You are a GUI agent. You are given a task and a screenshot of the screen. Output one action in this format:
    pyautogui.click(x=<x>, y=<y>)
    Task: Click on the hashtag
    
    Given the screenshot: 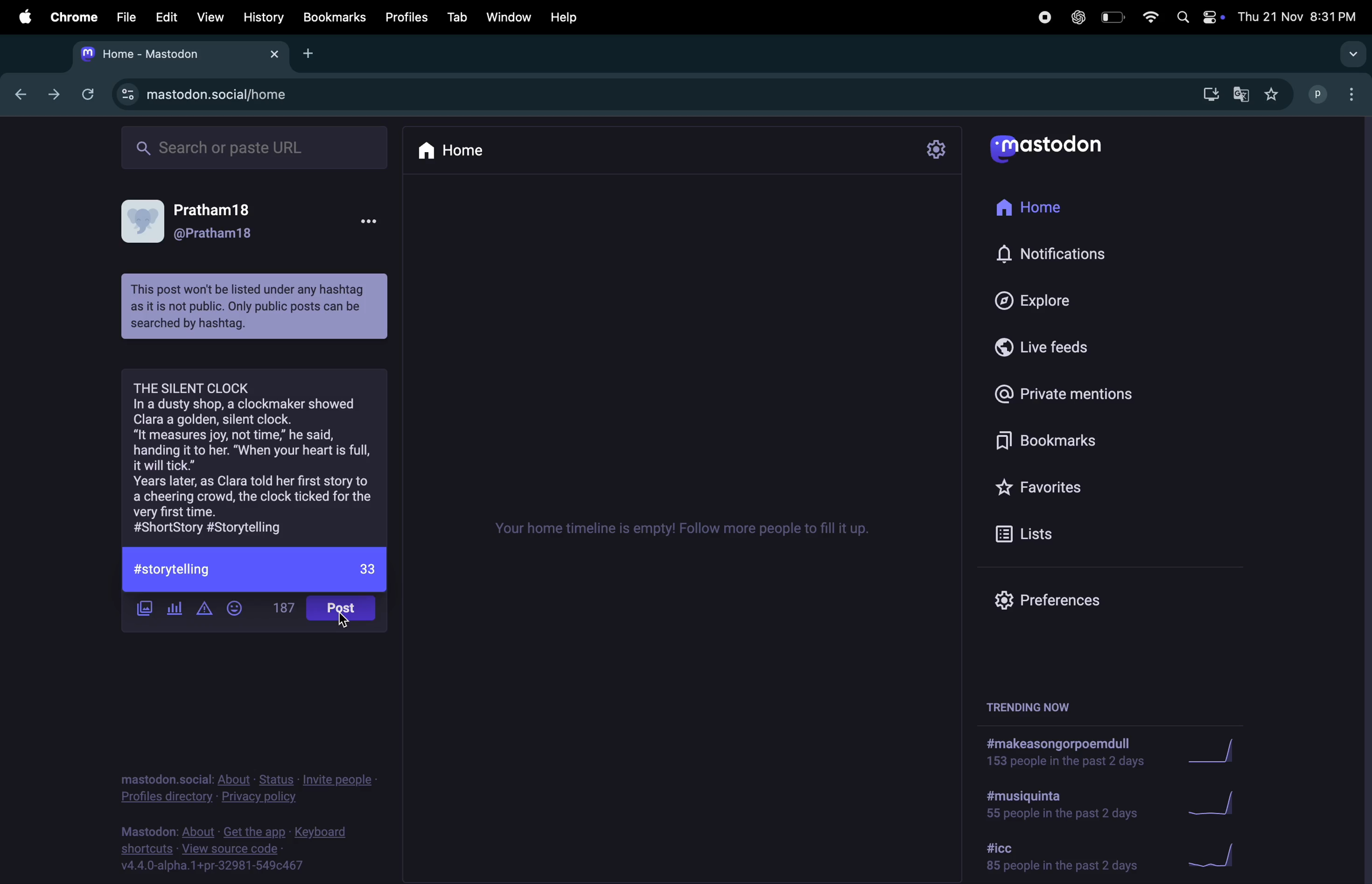 What is the action you would take?
    pyautogui.click(x=1058, y=807)
    